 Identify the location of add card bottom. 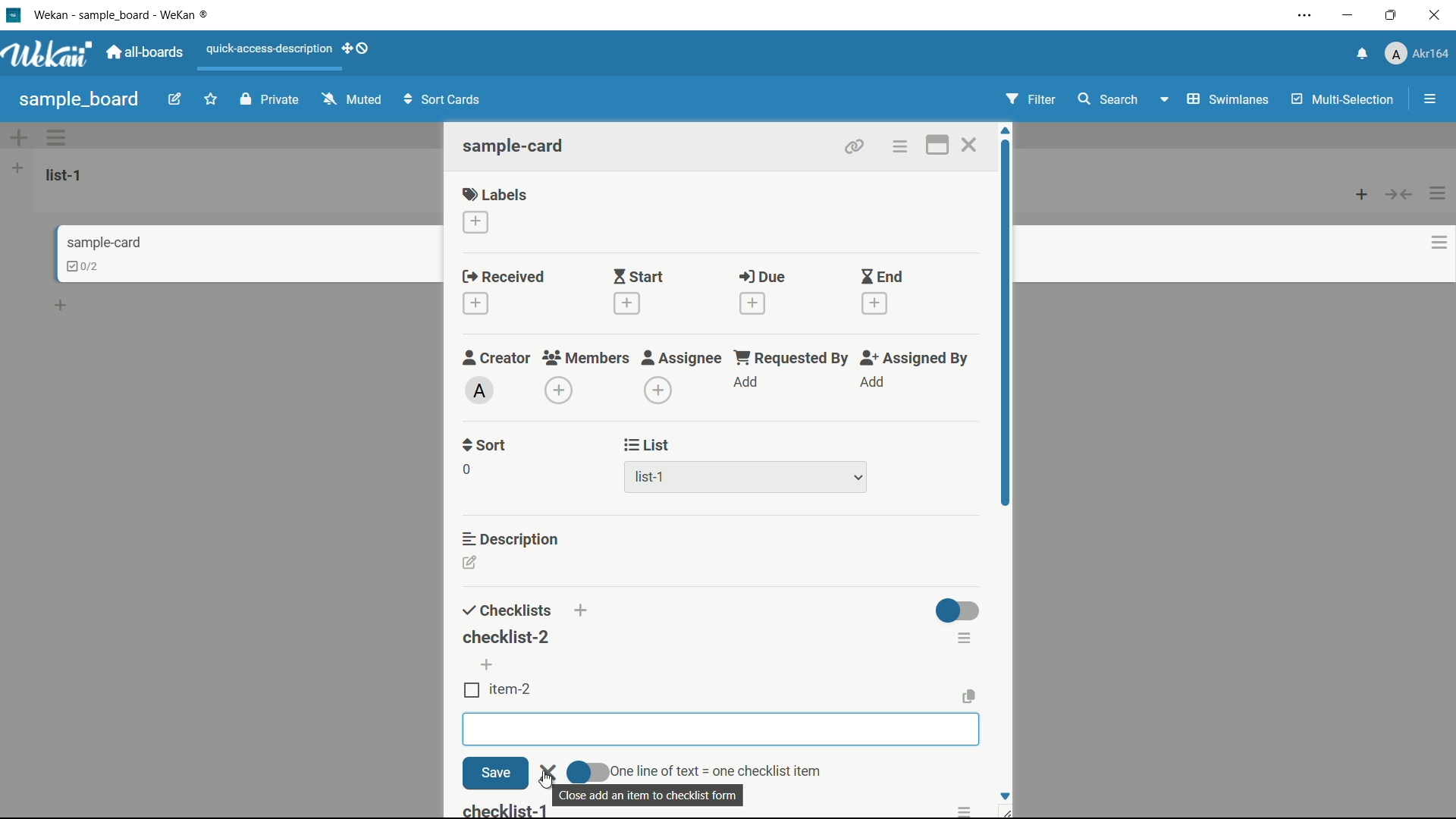
(67, 306).